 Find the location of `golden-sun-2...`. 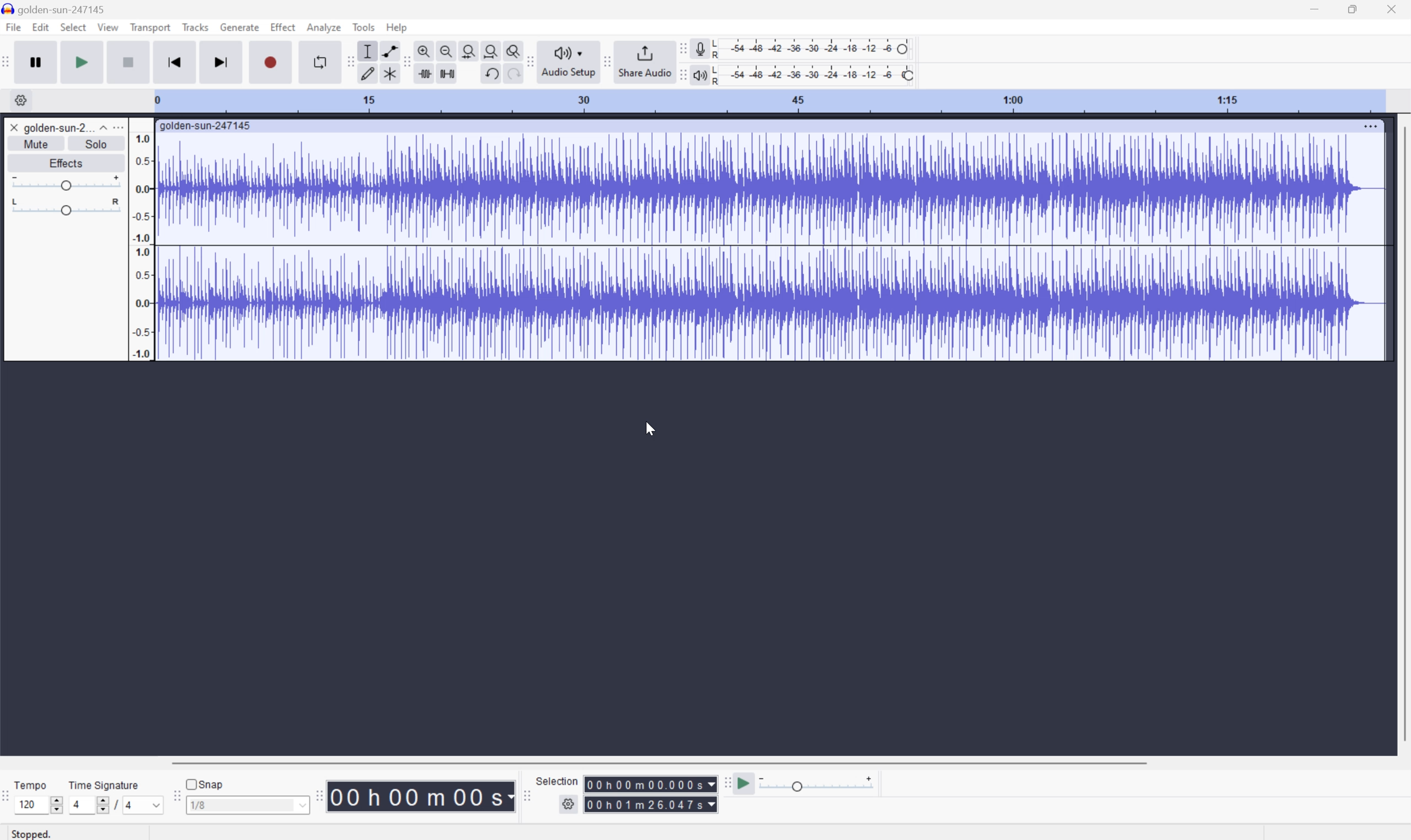

golden-sun-2... is located at coordinates (65, 127).